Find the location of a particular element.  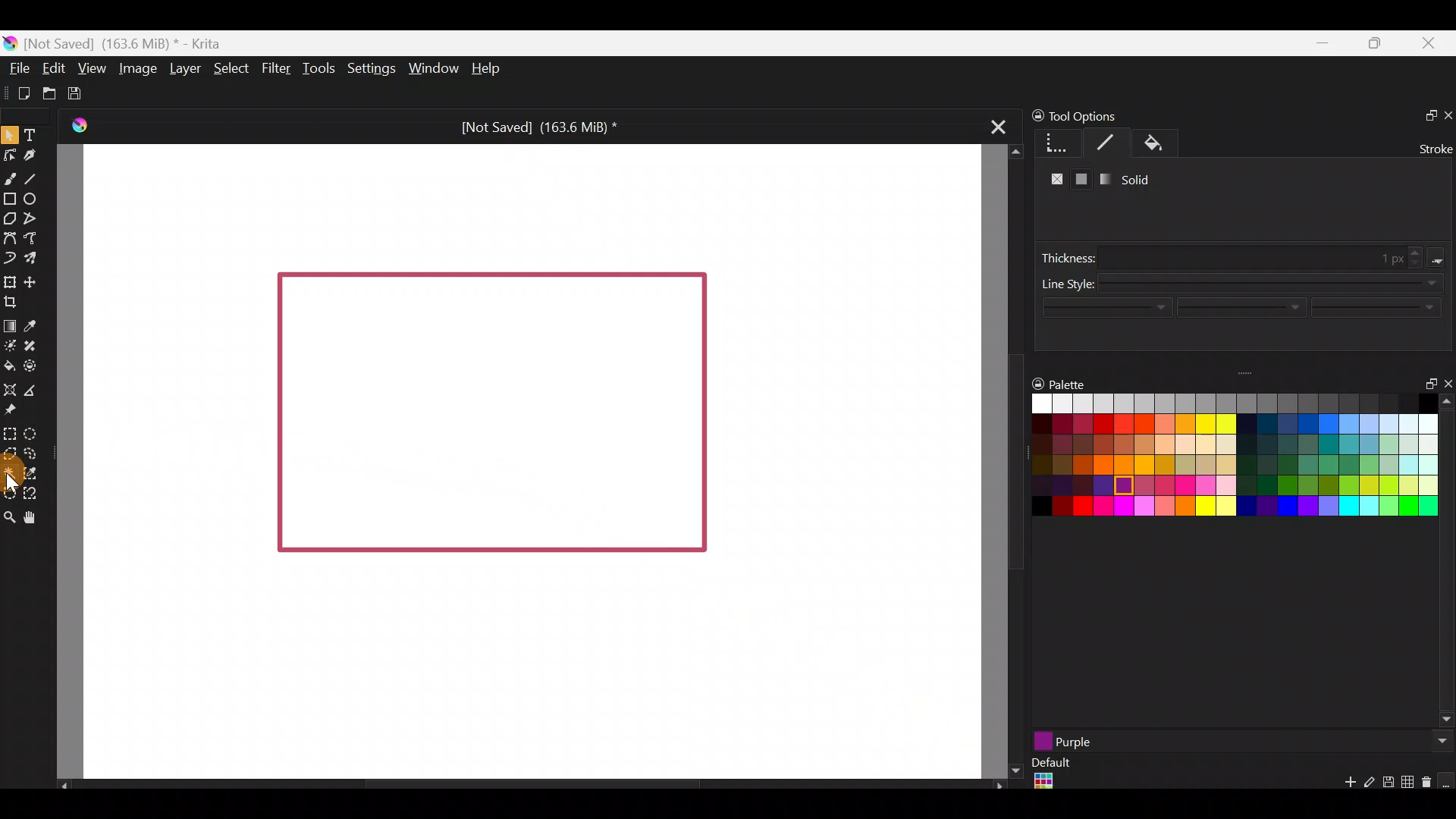

Float docker is located at coordinates (1425, 113).